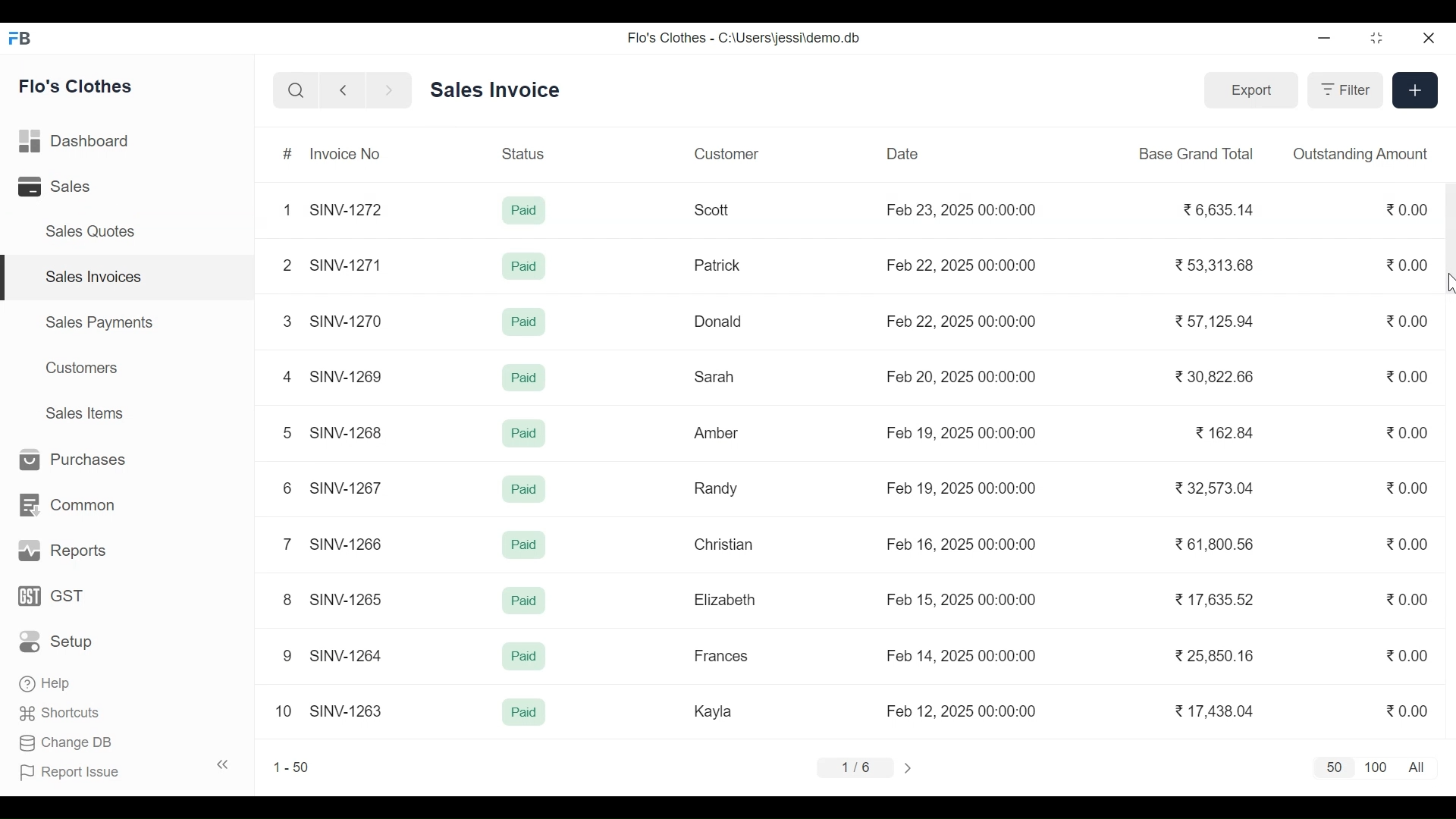  I want to click on 1100, so click(1376, 768).